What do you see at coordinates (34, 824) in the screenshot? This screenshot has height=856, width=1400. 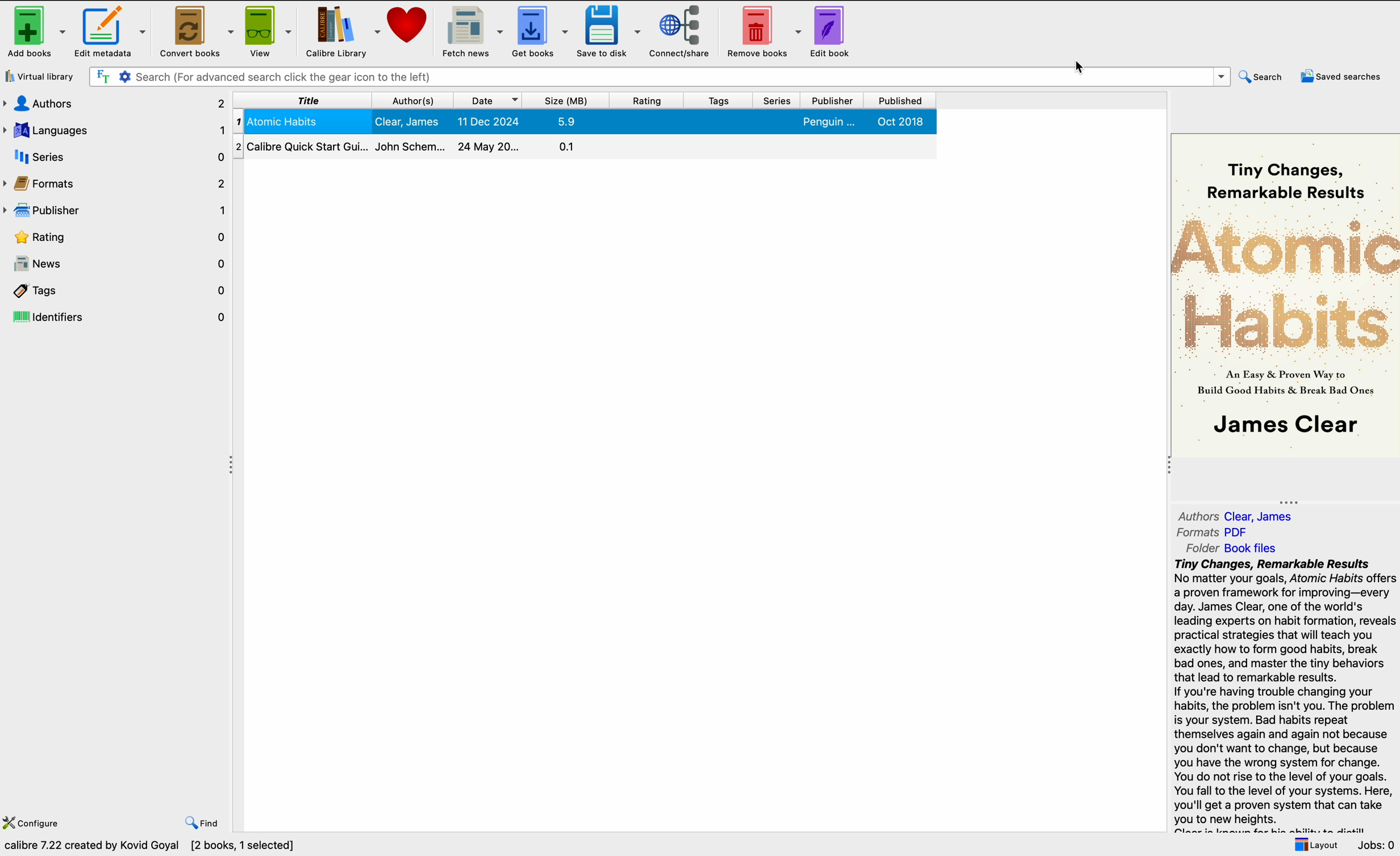 I see `configure` at bounding box center [34, 824].